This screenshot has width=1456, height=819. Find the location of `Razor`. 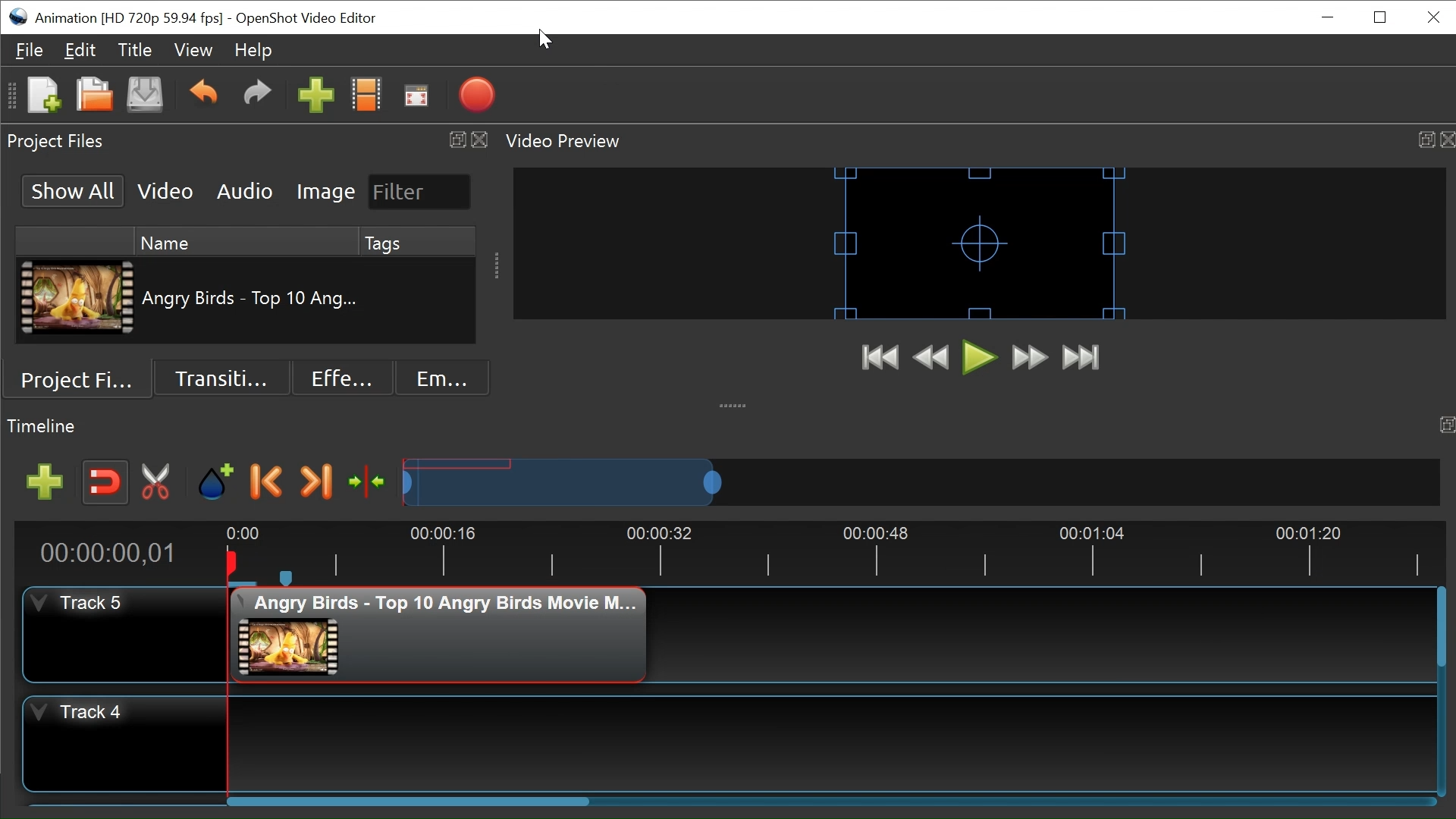

Razor is located at coordinates (158, 482).